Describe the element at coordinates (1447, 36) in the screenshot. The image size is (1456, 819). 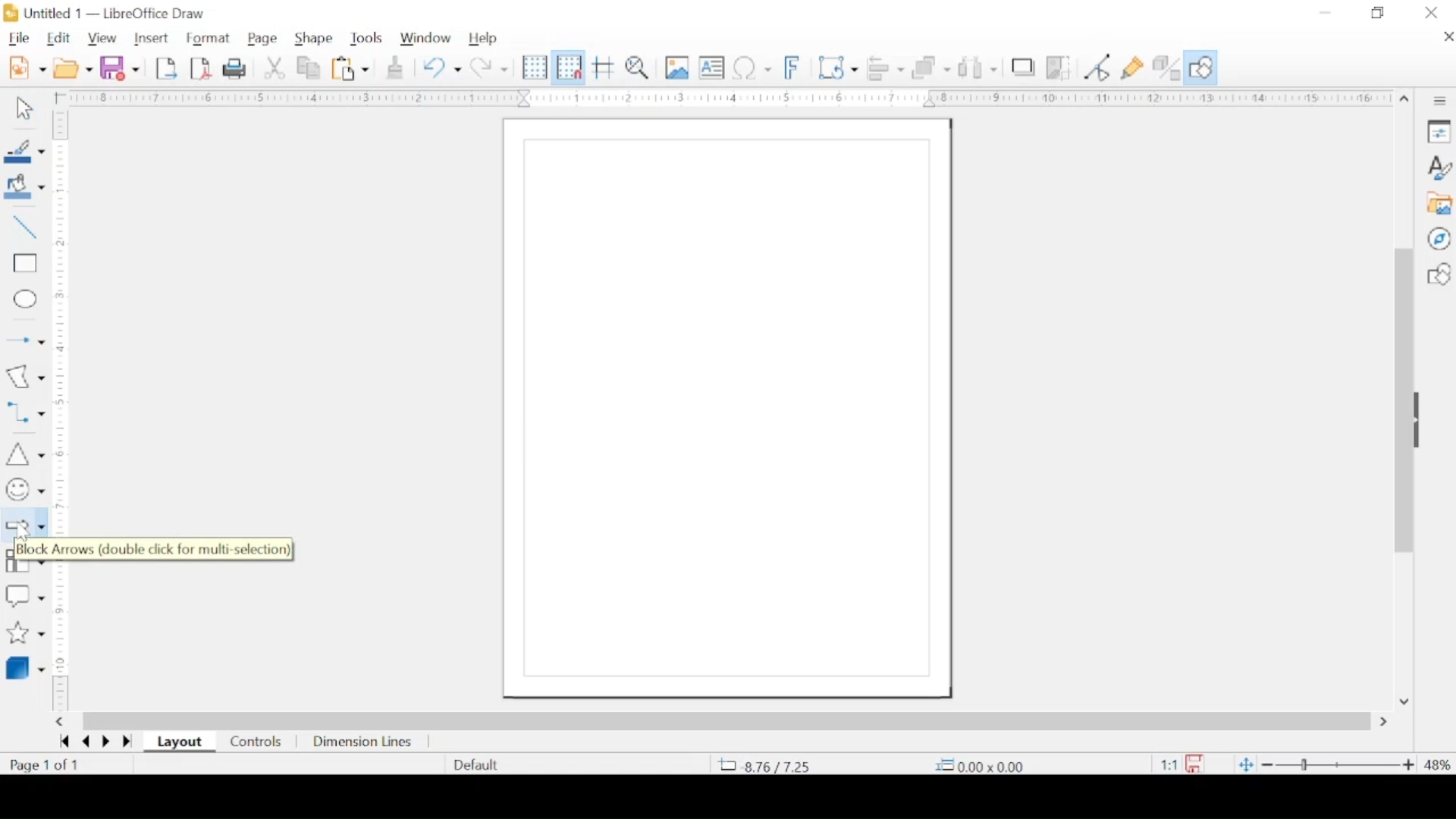
I see `close` at that location.